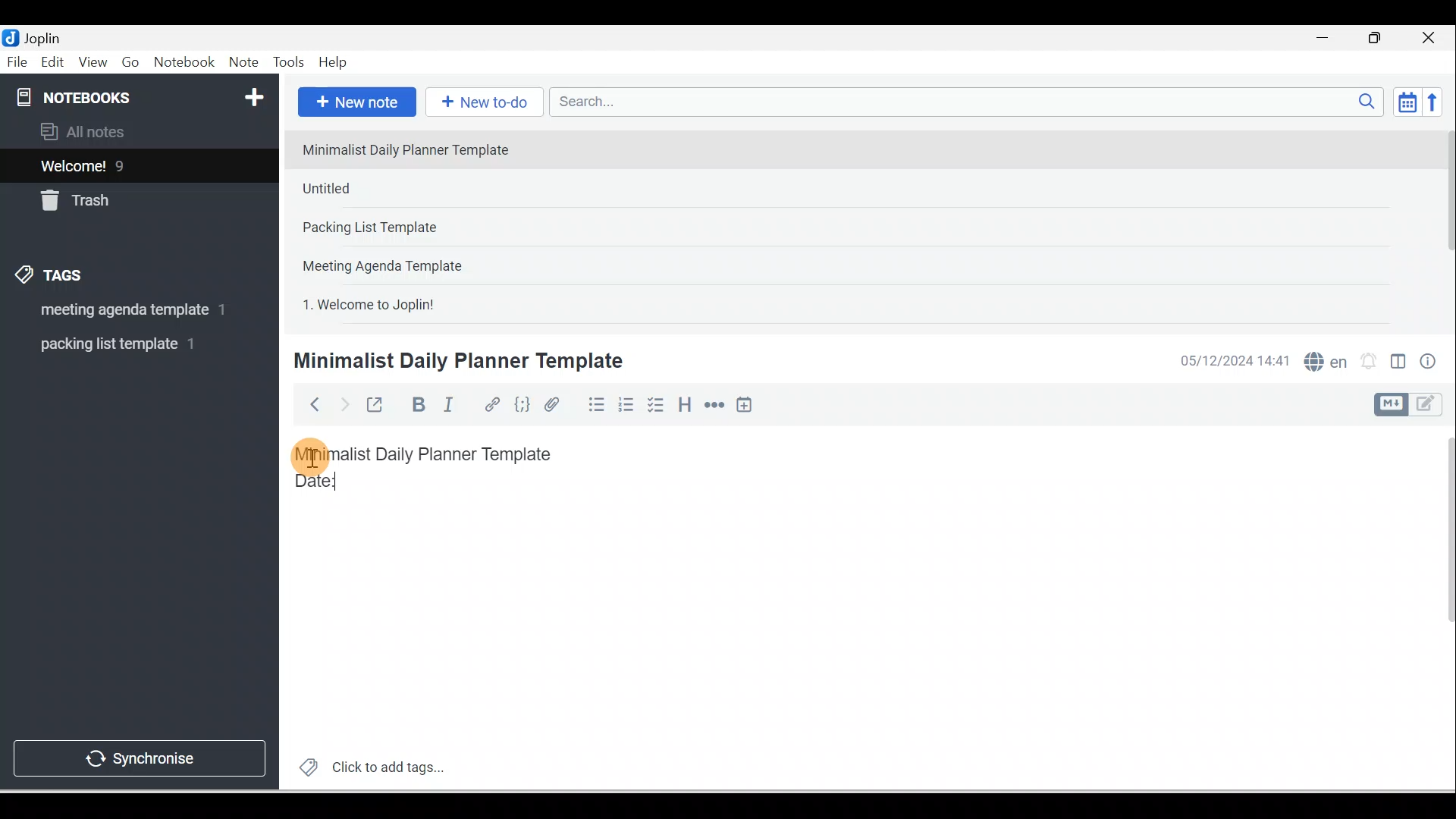 This screenshot has height=819, width=1456. Describe the element at coordinates (481, 103) in the screenshot. I see `New to-do` at that location.